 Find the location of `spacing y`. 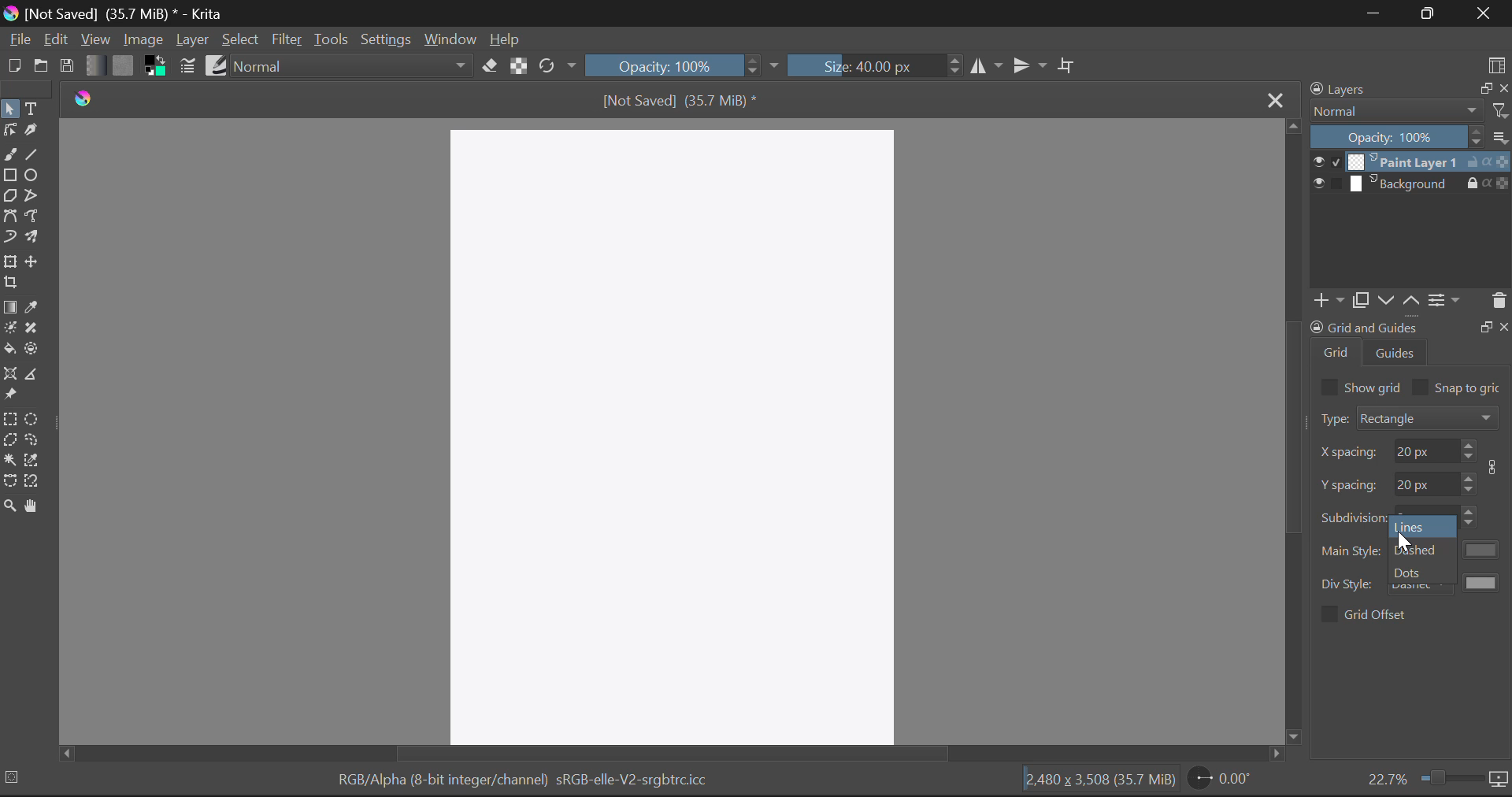

spacing y is located at coordinates (1350, 484).